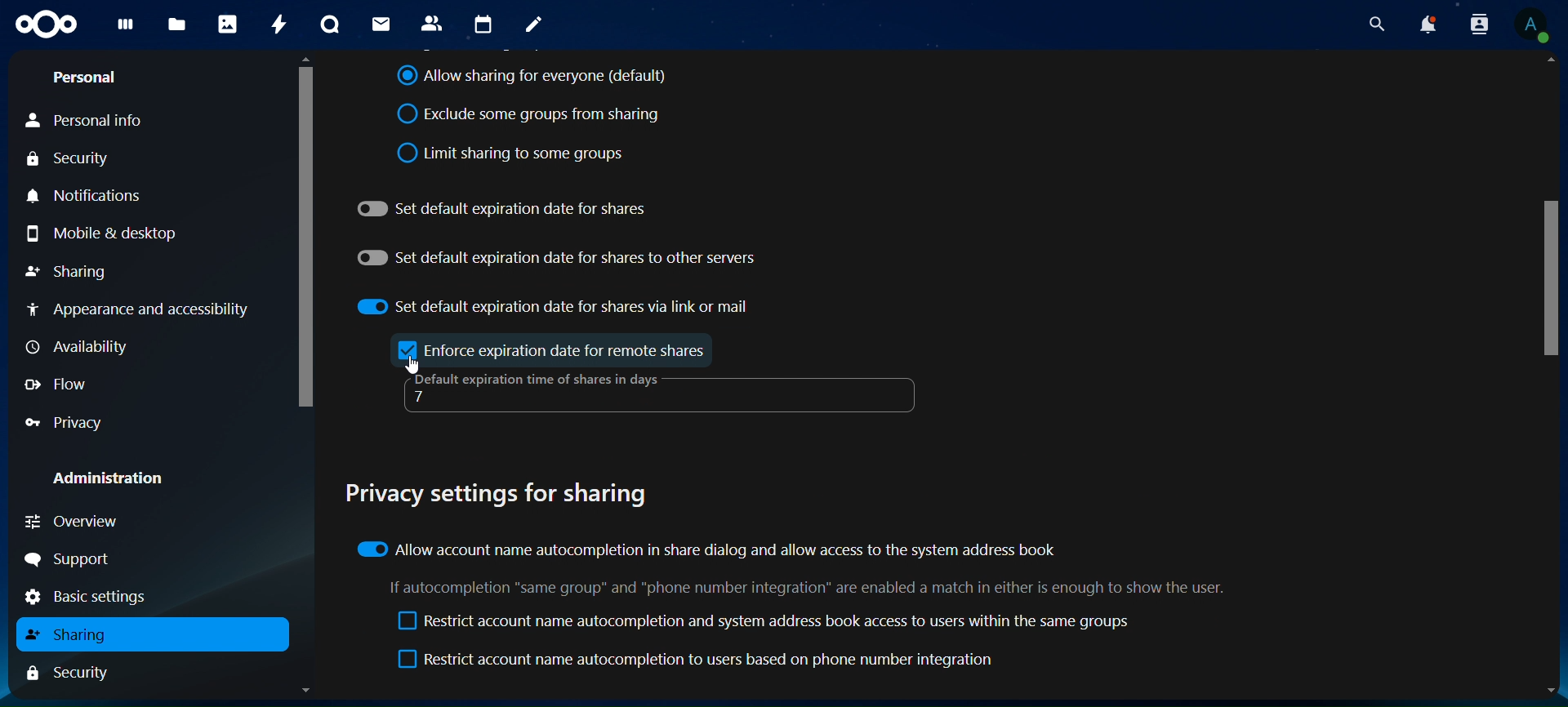  What do you see at coordinates (506, 491) in the screenshot?
I see `privacy settings for sharing` at bounding box center [506, 491].